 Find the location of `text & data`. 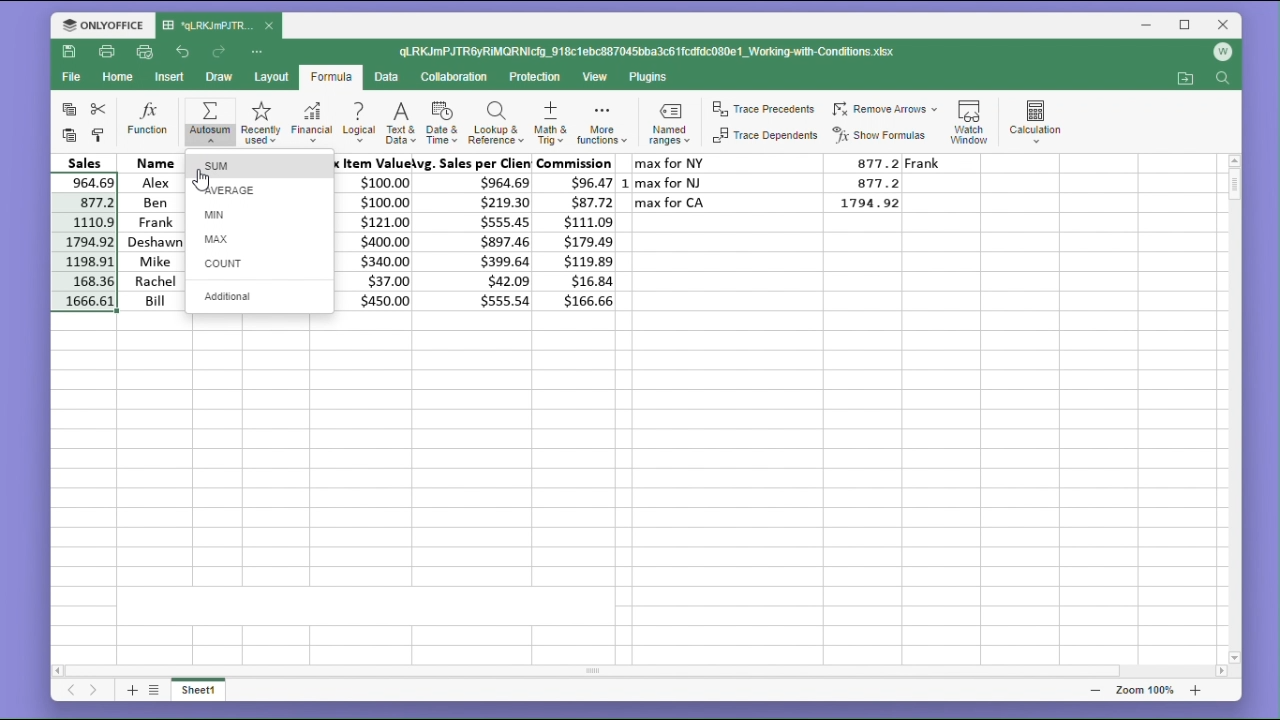

text & data is located at coordinates (399, 125).